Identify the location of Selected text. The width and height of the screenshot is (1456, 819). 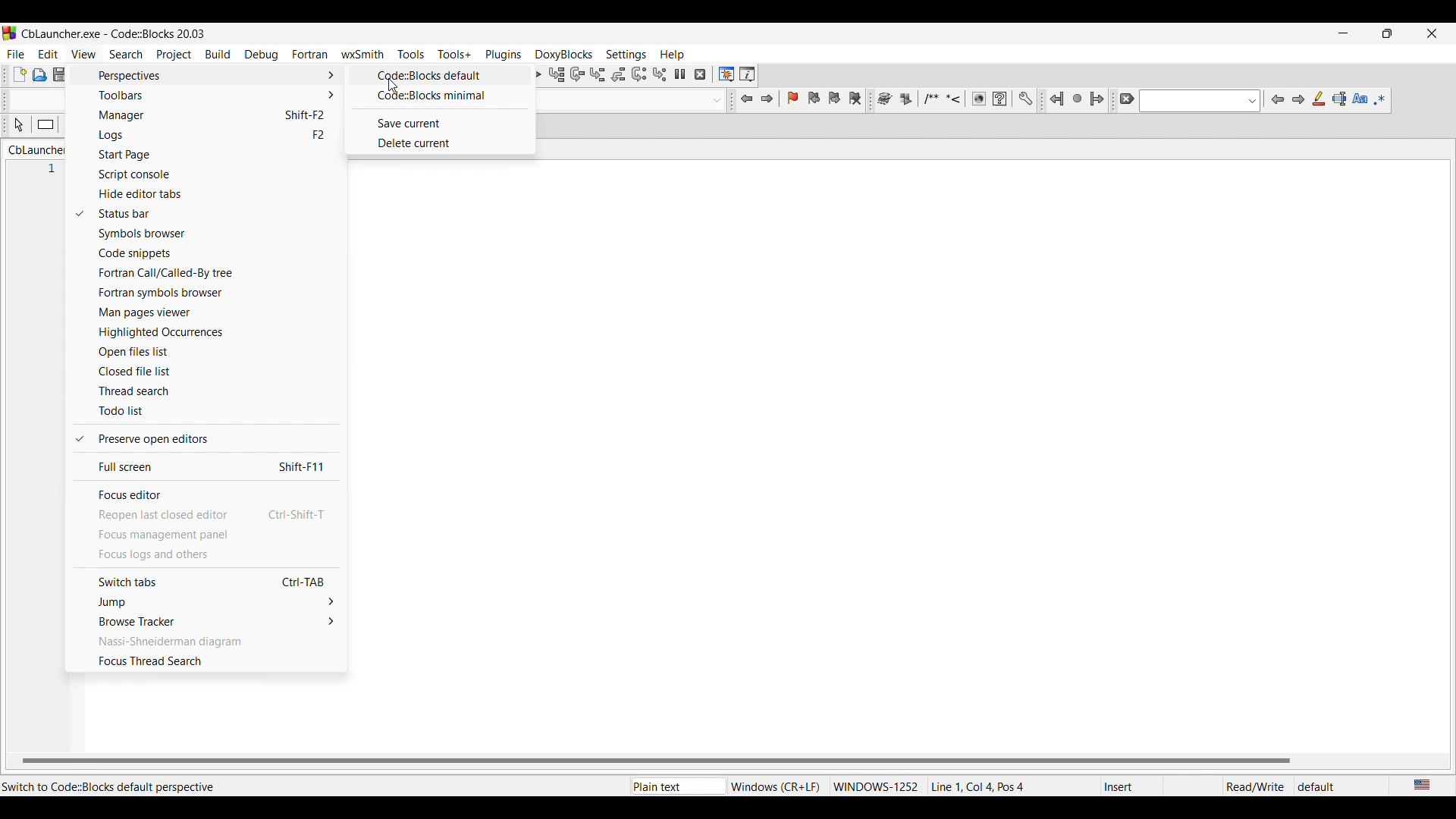
(1339, 99).